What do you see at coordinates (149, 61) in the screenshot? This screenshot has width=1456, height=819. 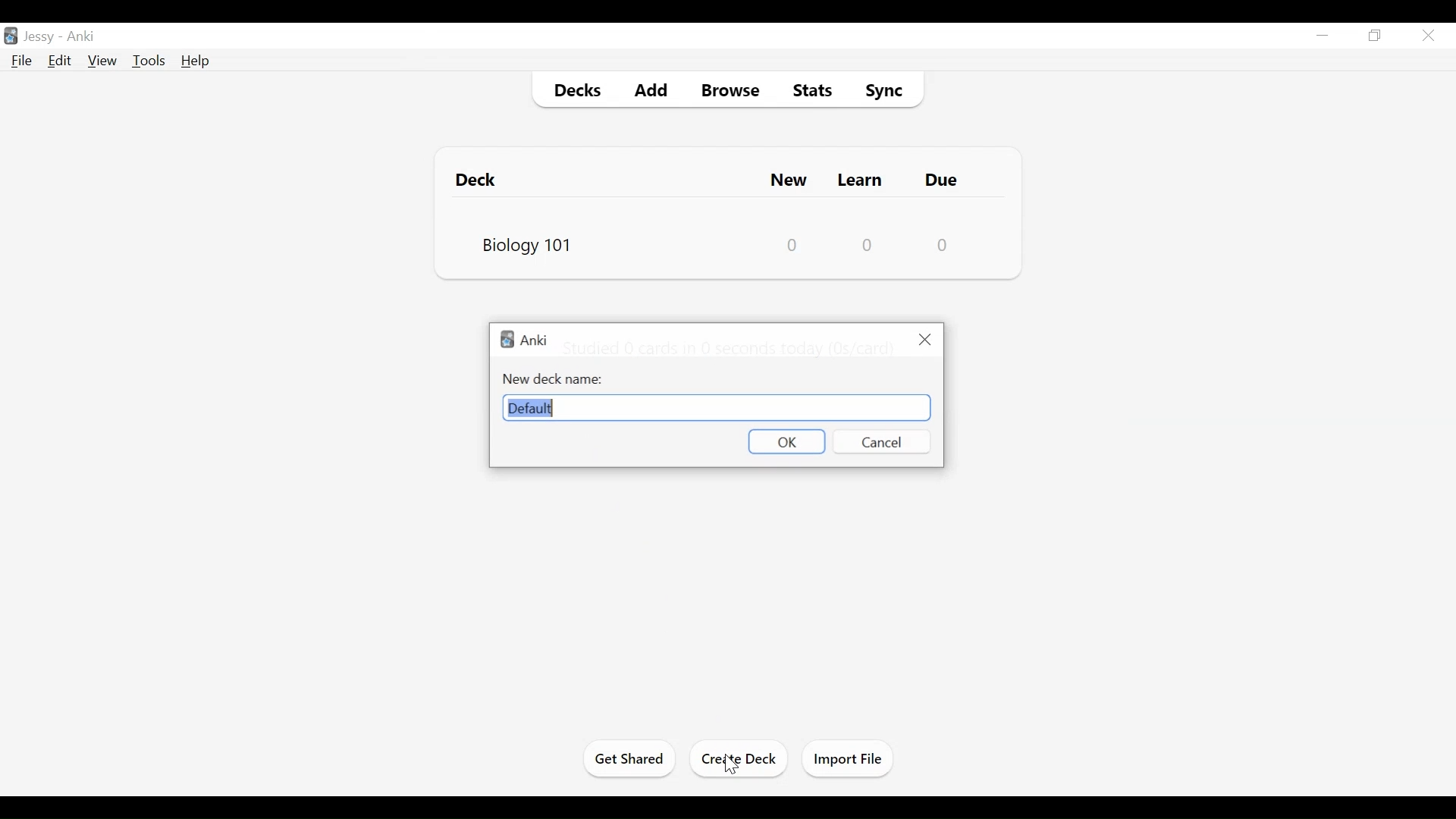 I see `Tools` at bounding box center [149, 61].